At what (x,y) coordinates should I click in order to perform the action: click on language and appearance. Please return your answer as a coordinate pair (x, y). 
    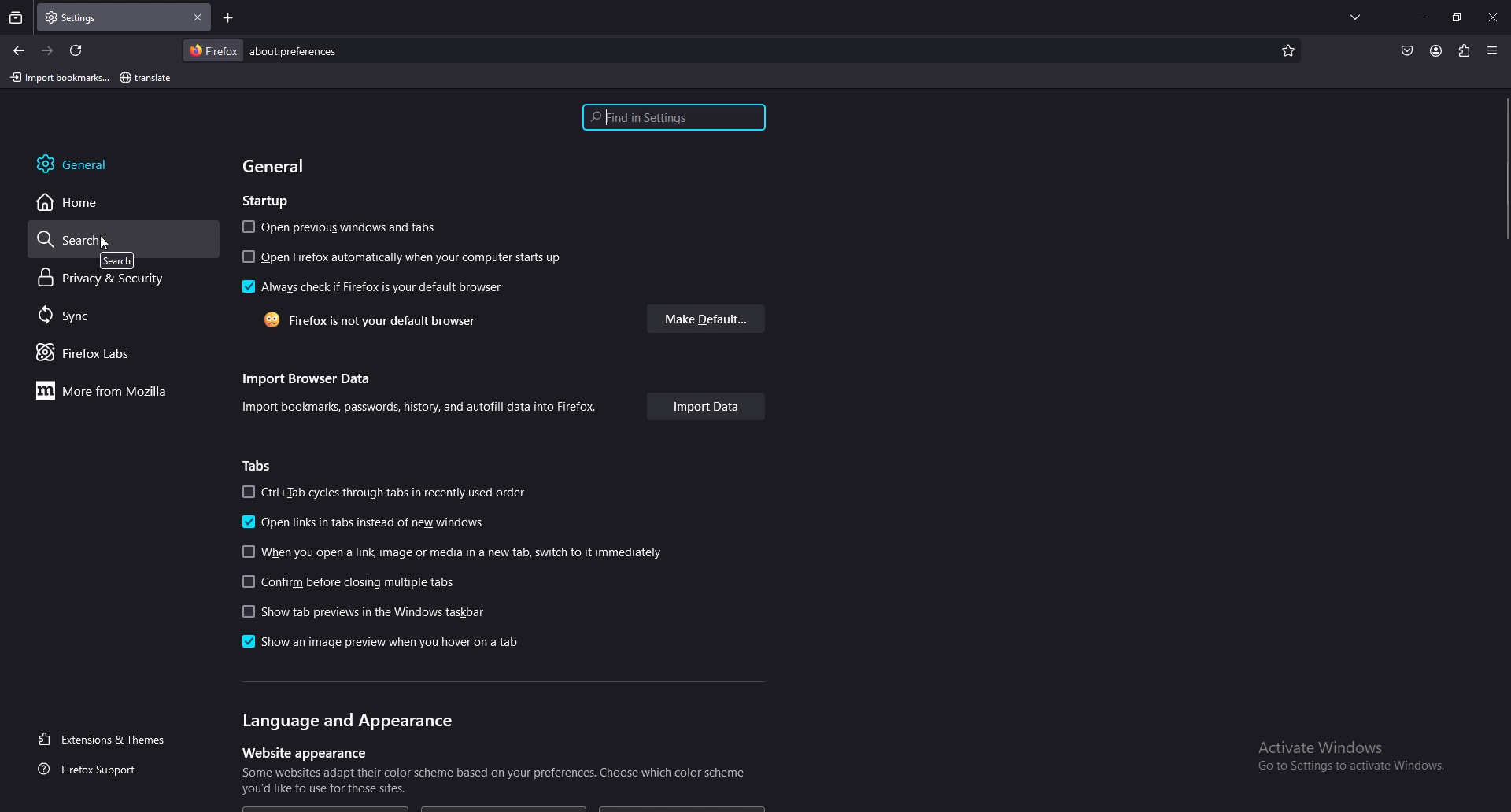
    Looking at the image, I should click on (356, 722).